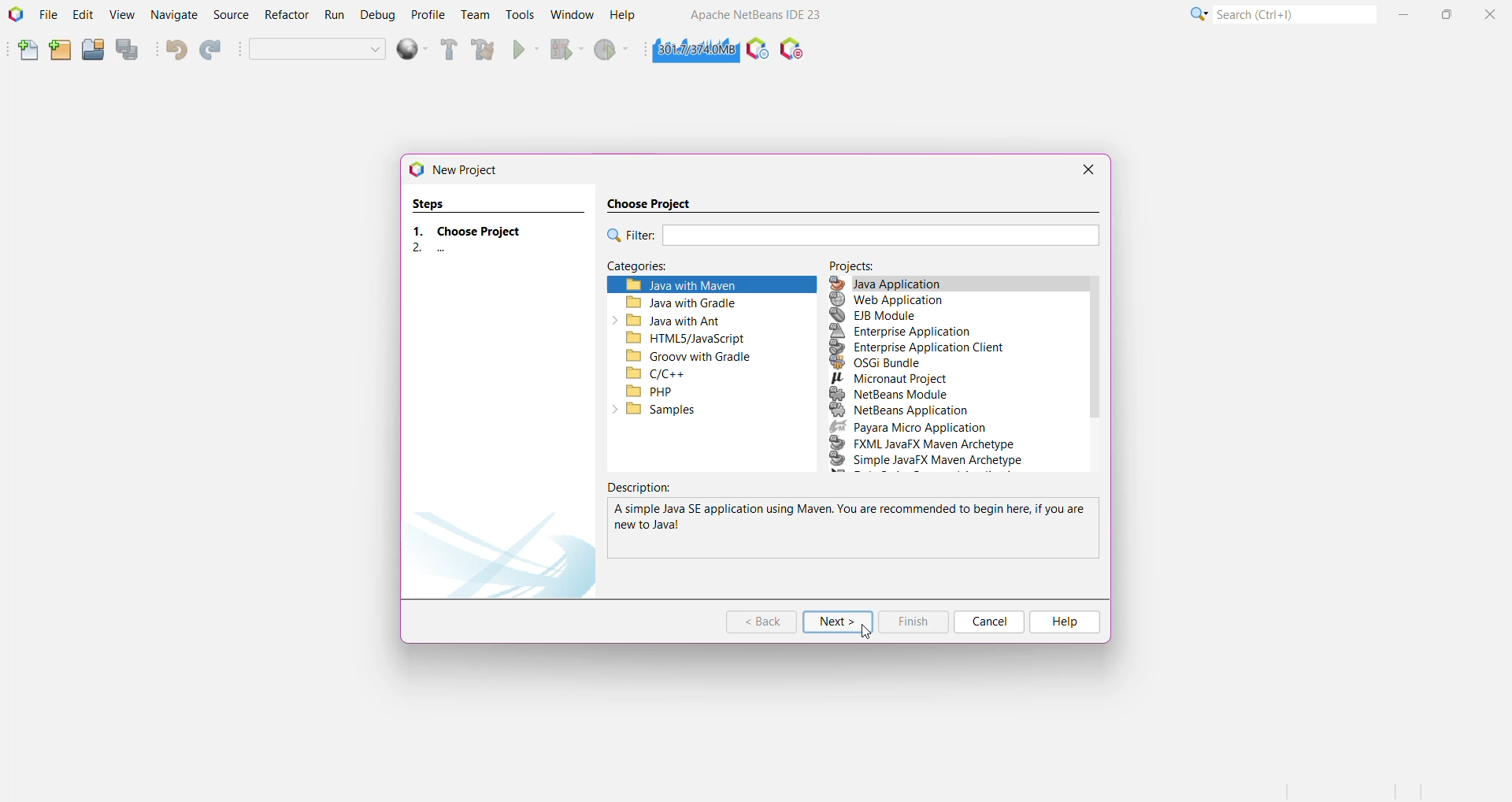 The image size is (1512, 802). I want to click on Payara Micro Application, so click(904, 427).